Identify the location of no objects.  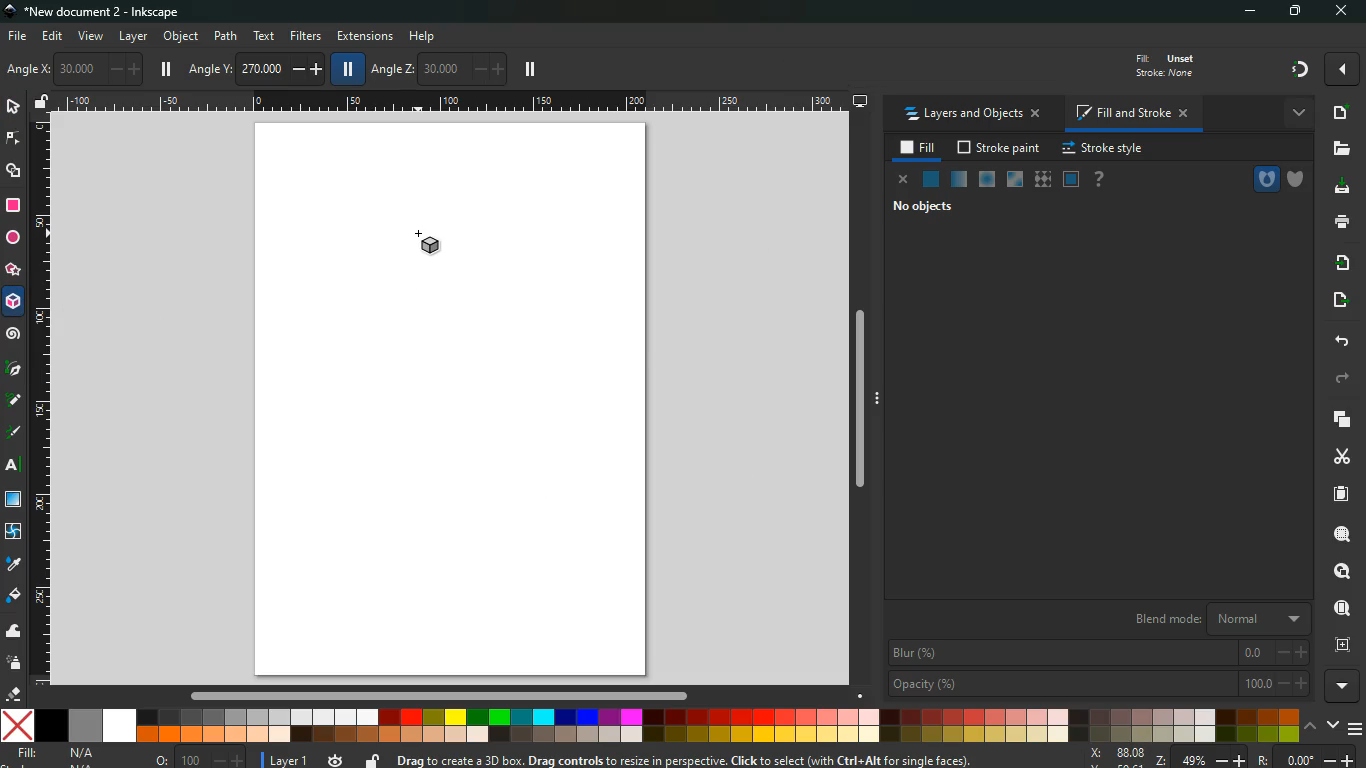
(922, 208).